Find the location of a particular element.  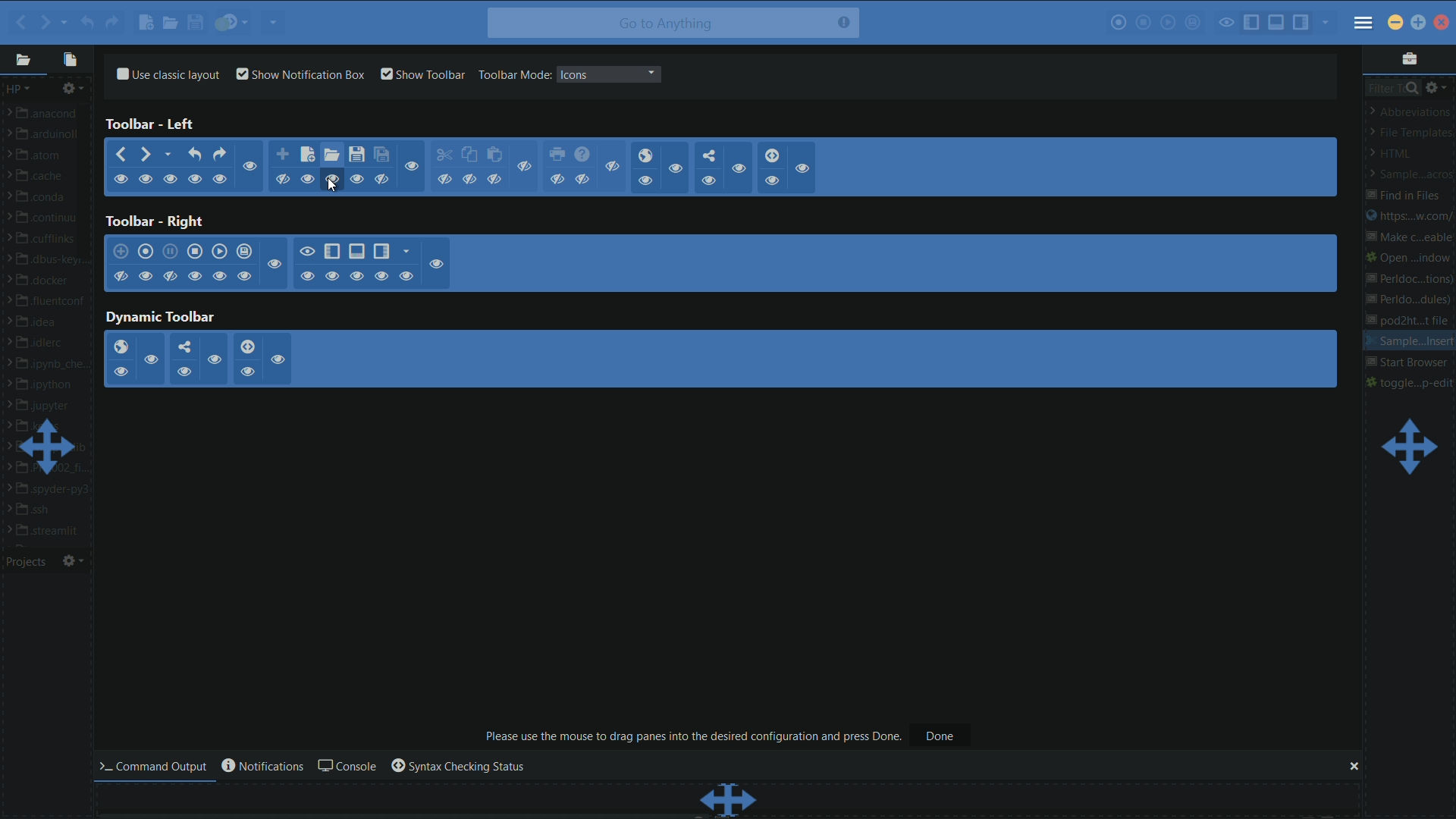

cut is located at coordinates (444, 155).